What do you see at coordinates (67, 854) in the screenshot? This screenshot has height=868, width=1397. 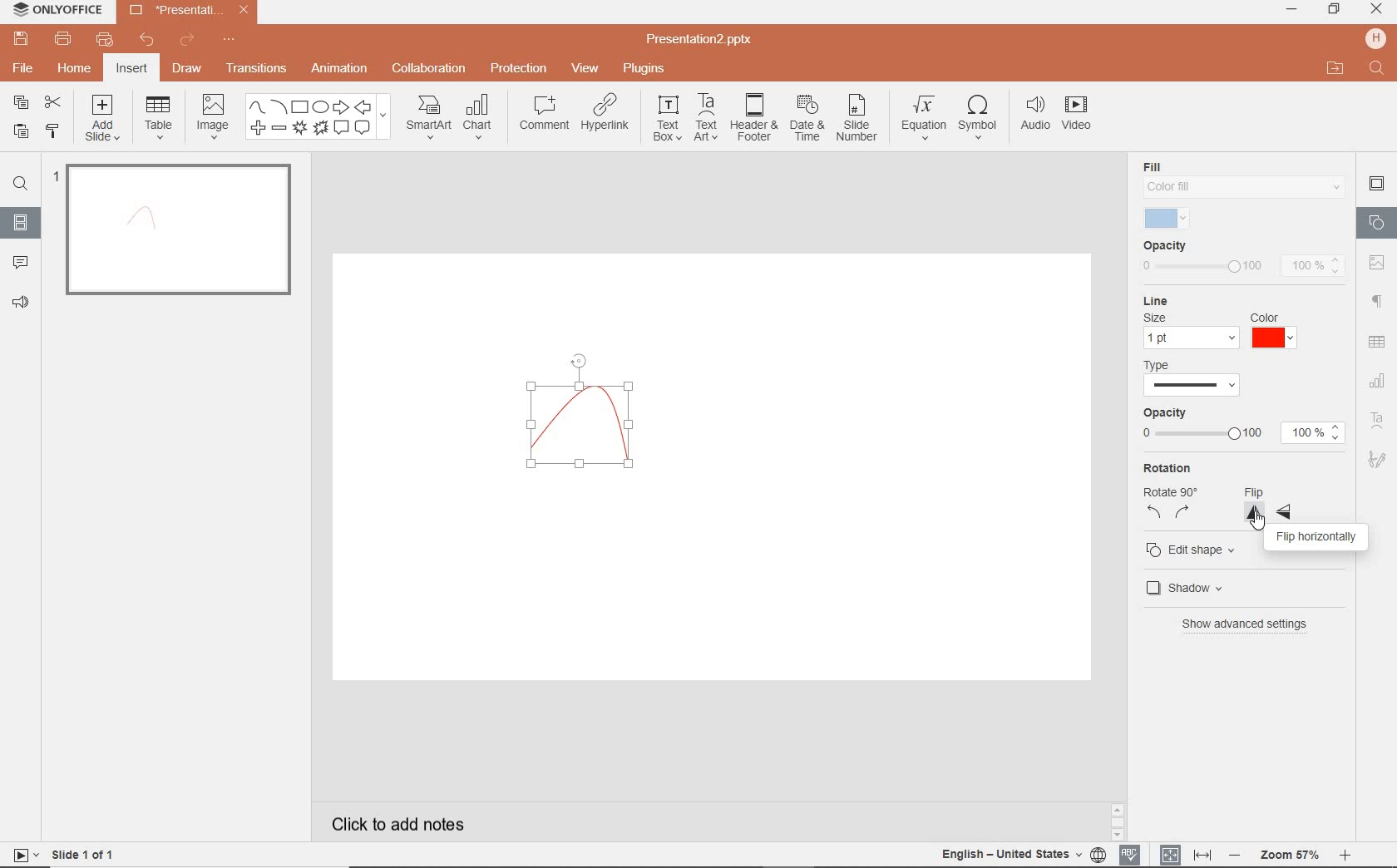 I see `SLIDE 1 OF 1` at bounding box center [67, 854].